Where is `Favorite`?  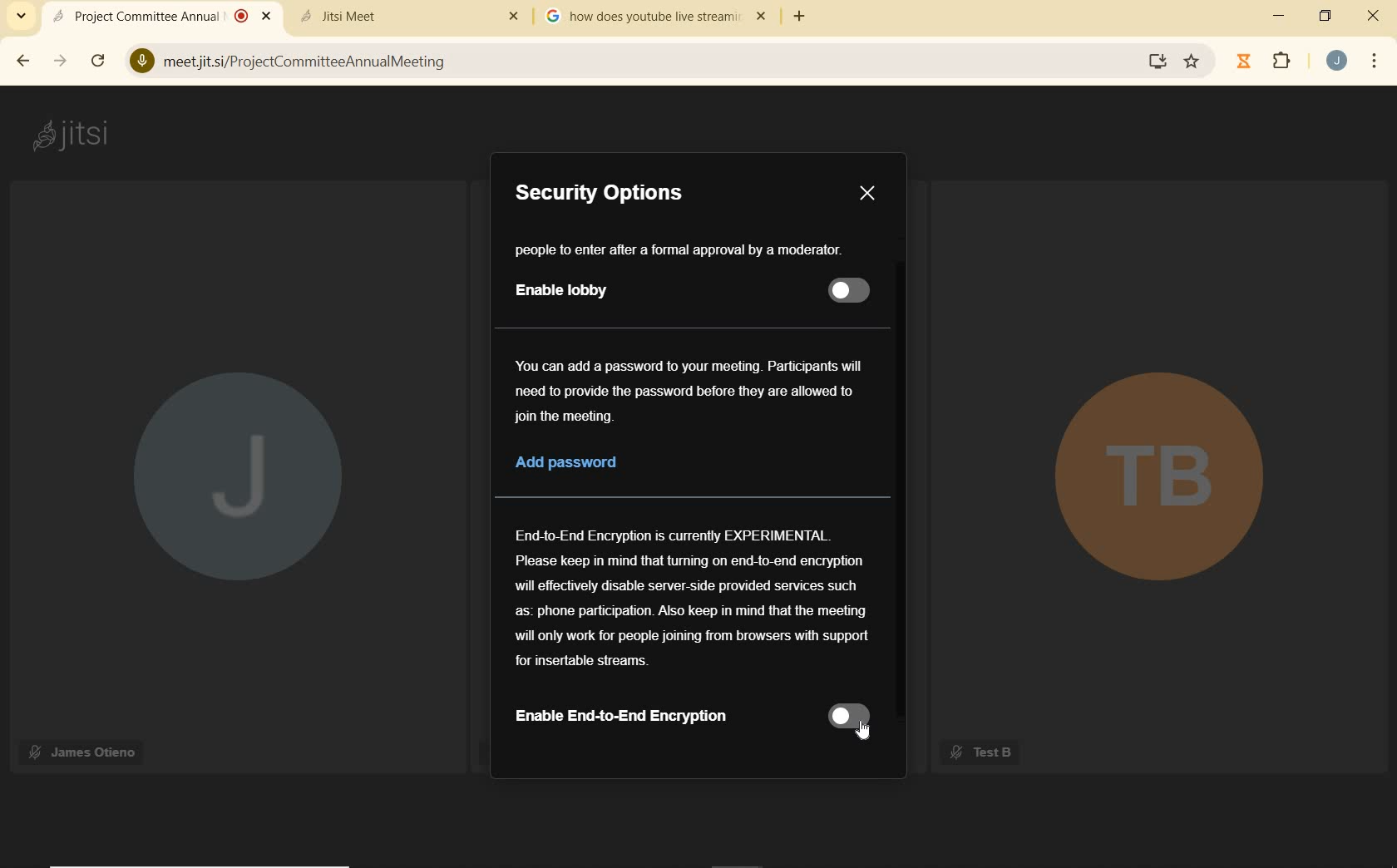 Favorite is located at coordinates (1192, 57).